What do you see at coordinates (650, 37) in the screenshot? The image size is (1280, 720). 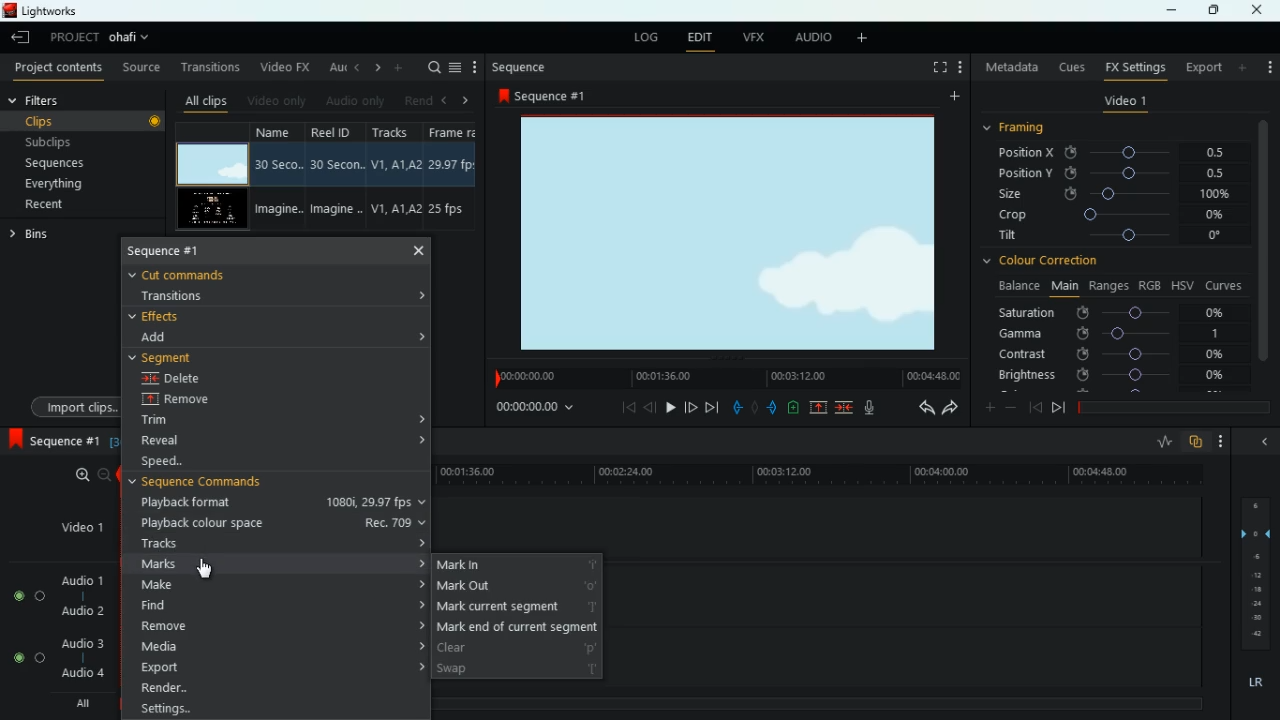 I see `log` at bounding box center [650, 37].